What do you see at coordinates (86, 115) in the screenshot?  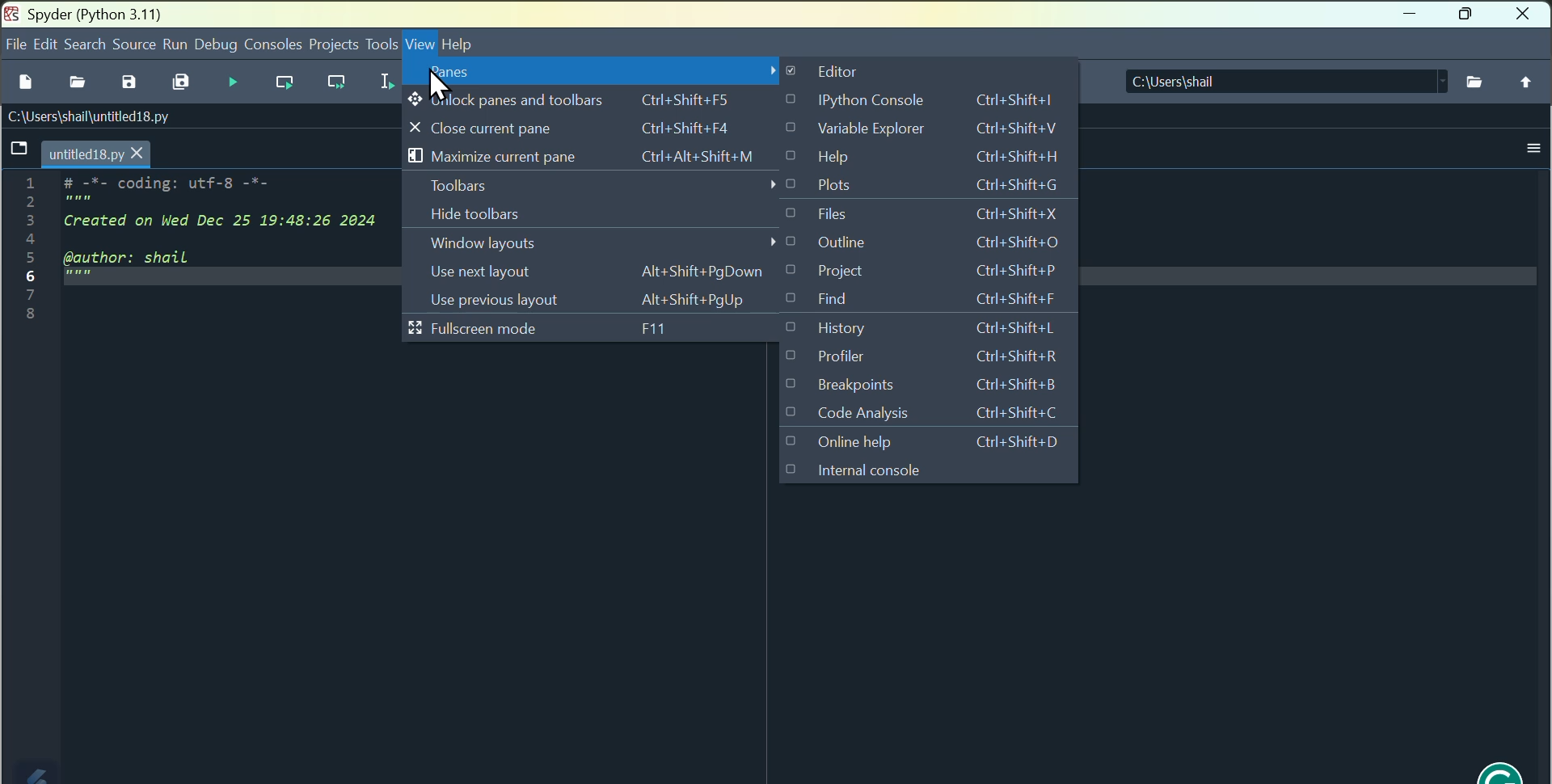 I see `C:\Users\shail\untitled18.py` at bounding box center [86, 115].